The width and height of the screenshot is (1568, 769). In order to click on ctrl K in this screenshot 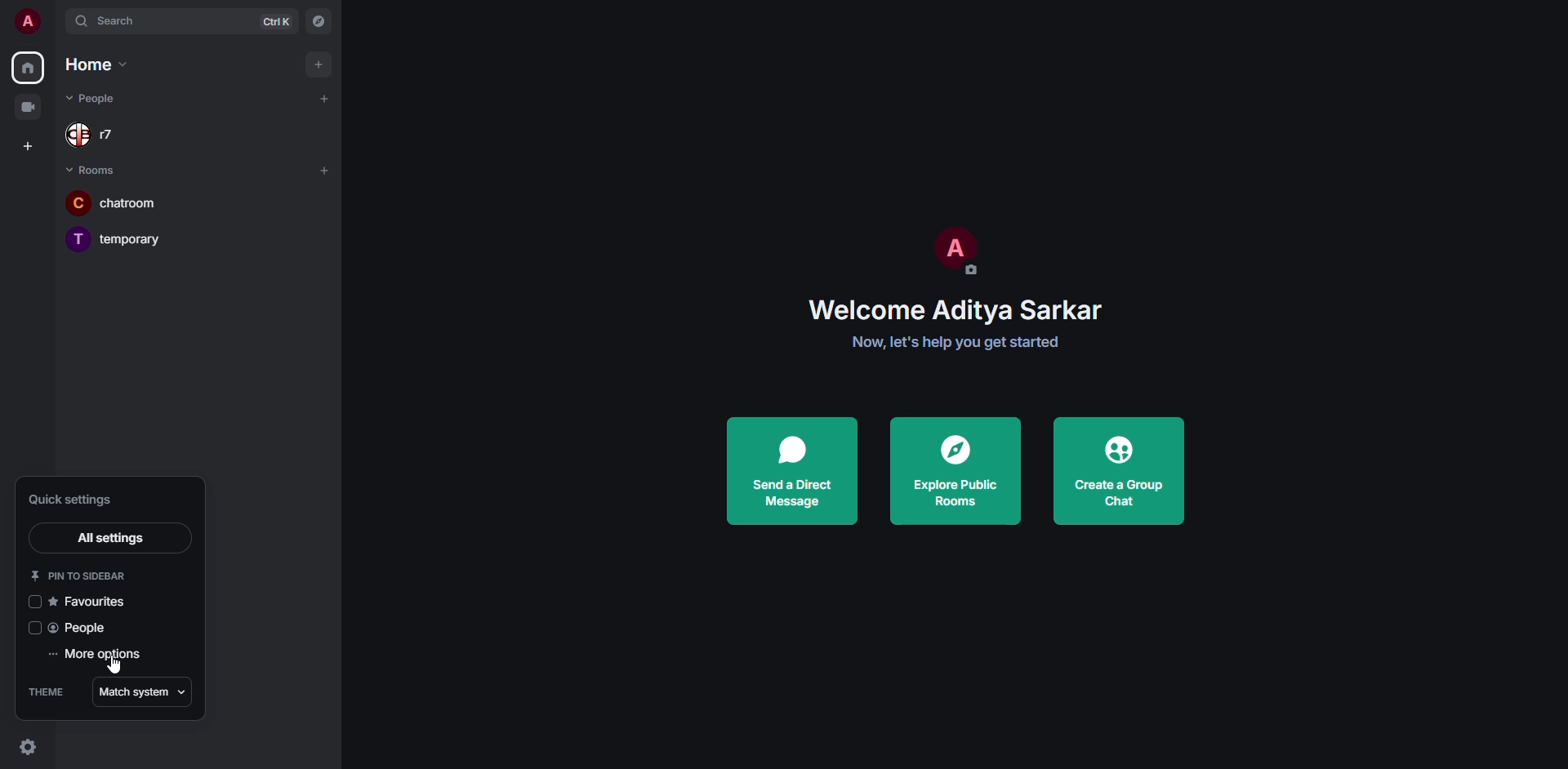, I will do `click(276, 22)`.